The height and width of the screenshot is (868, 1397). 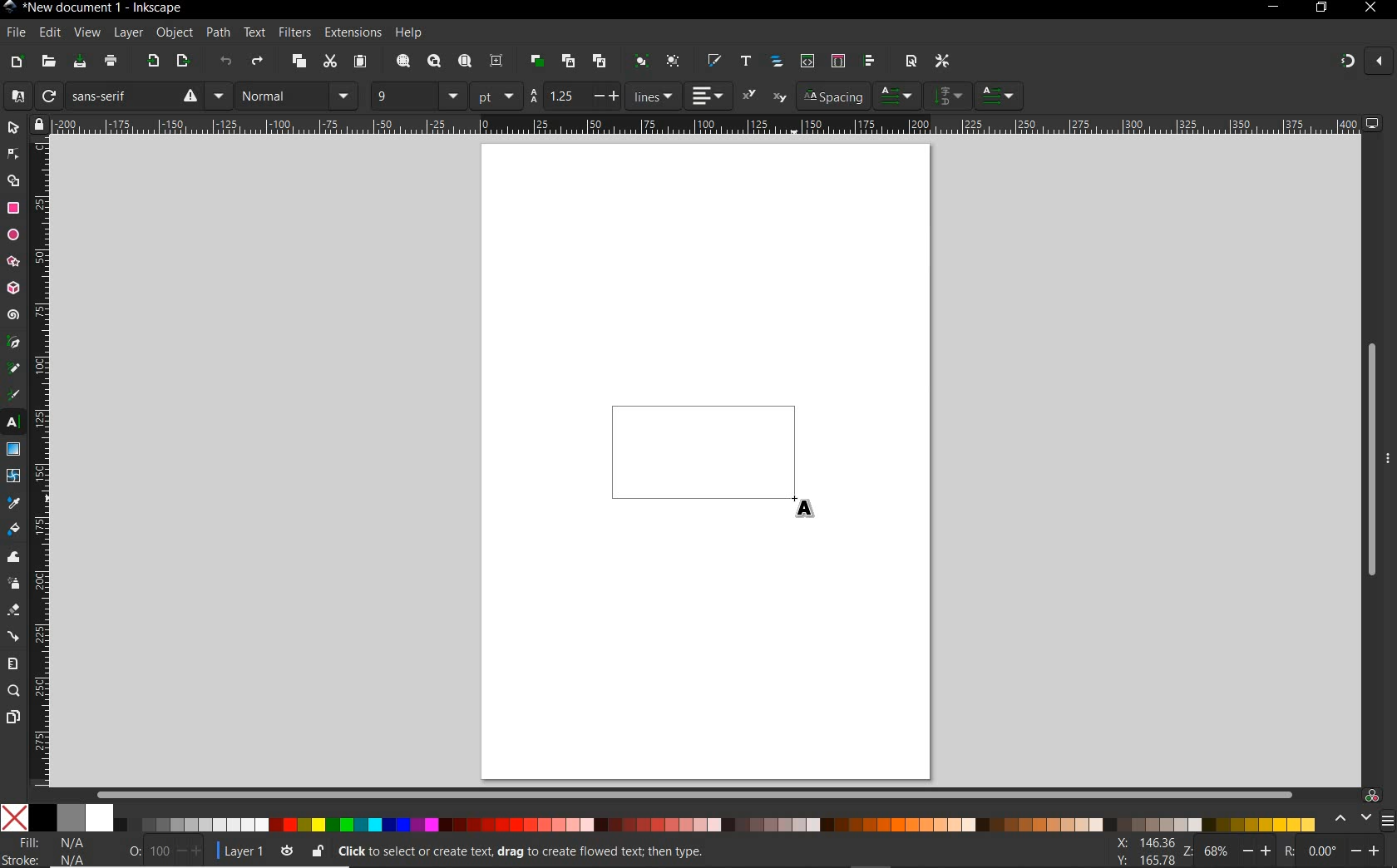 I want to click on duplicate, so click(x=537, y=58).